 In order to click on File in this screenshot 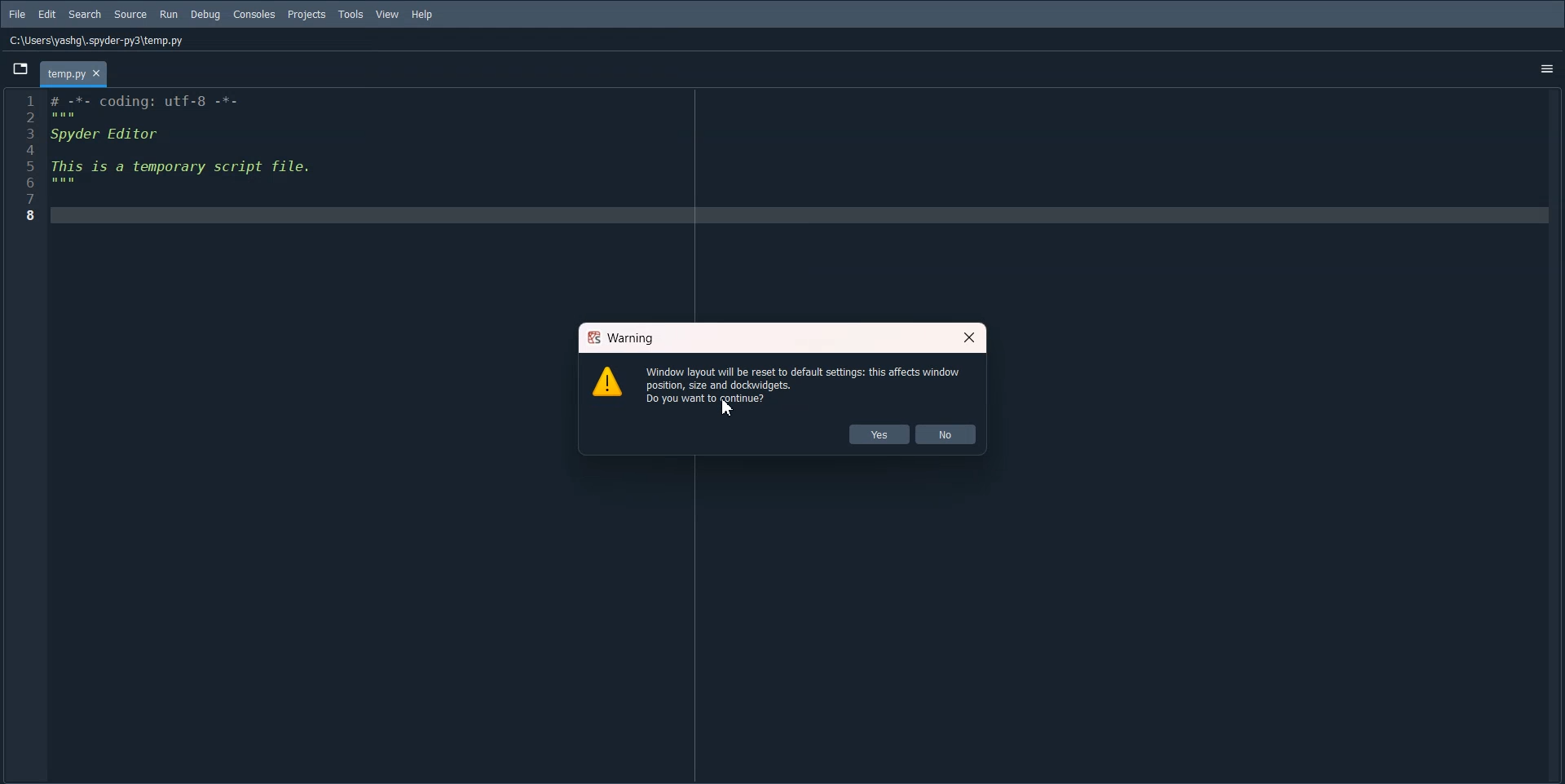, I will do `click(16, 15)`.